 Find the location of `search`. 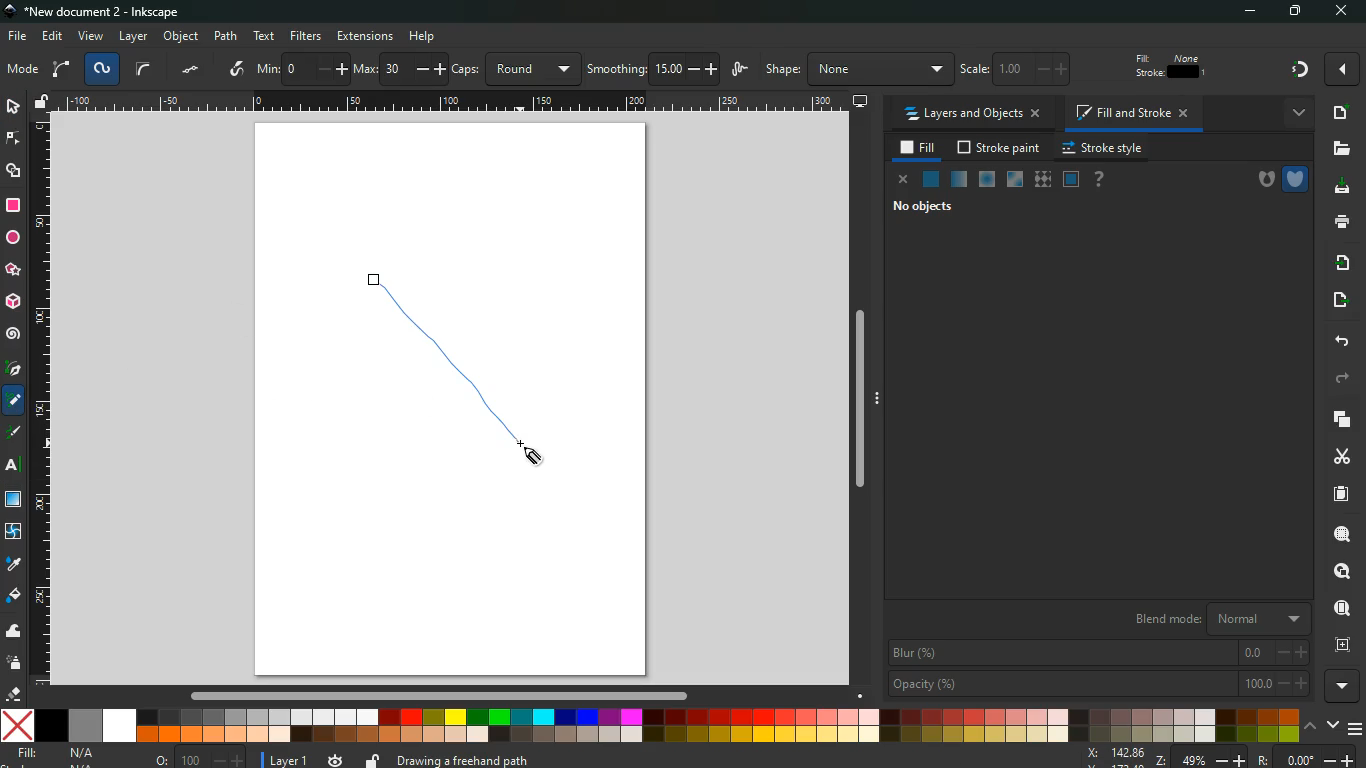

search is located at coordinates (1339, 532).